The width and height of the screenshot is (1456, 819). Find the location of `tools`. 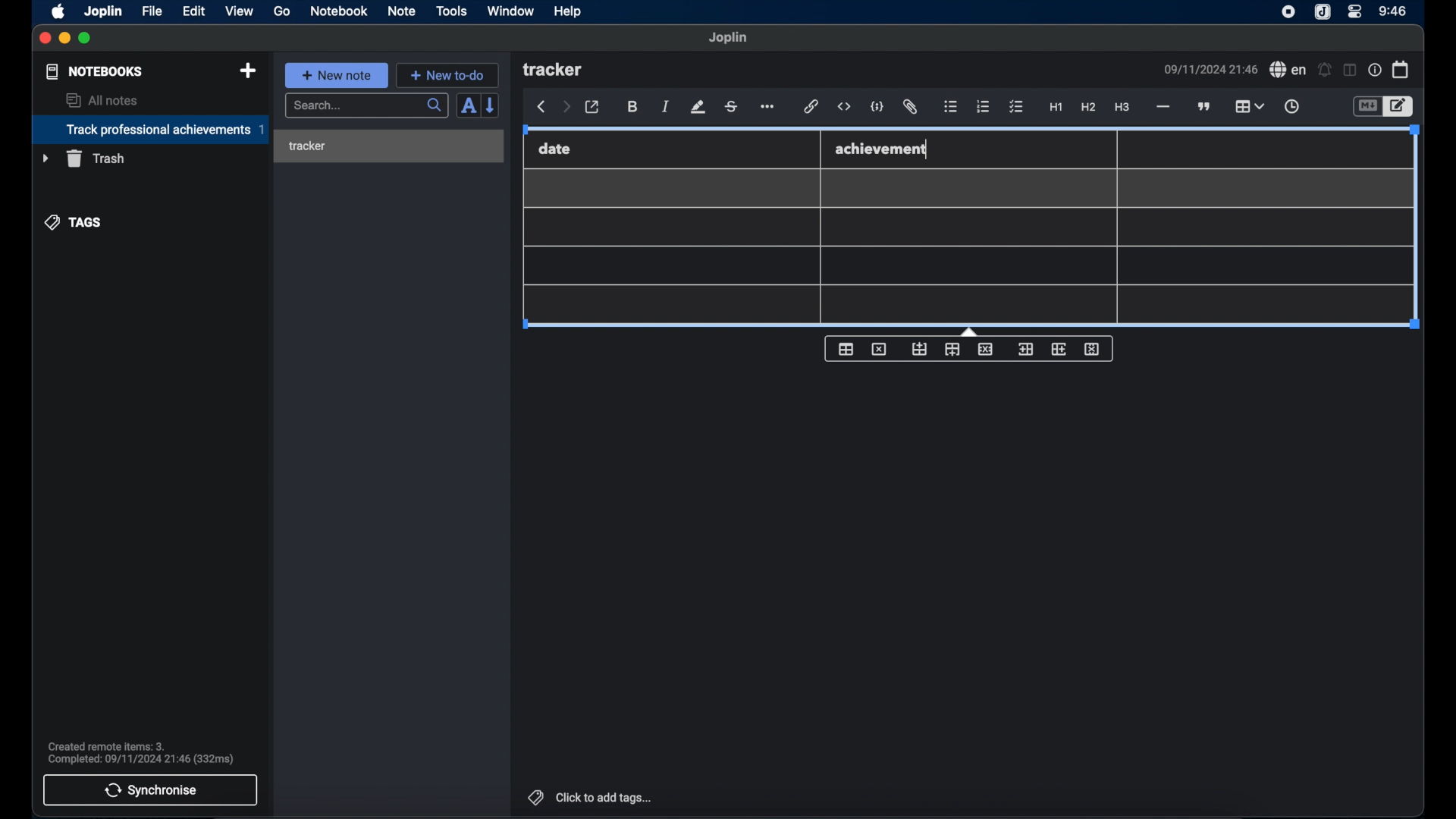

tools is located at coordinates (452, 11).